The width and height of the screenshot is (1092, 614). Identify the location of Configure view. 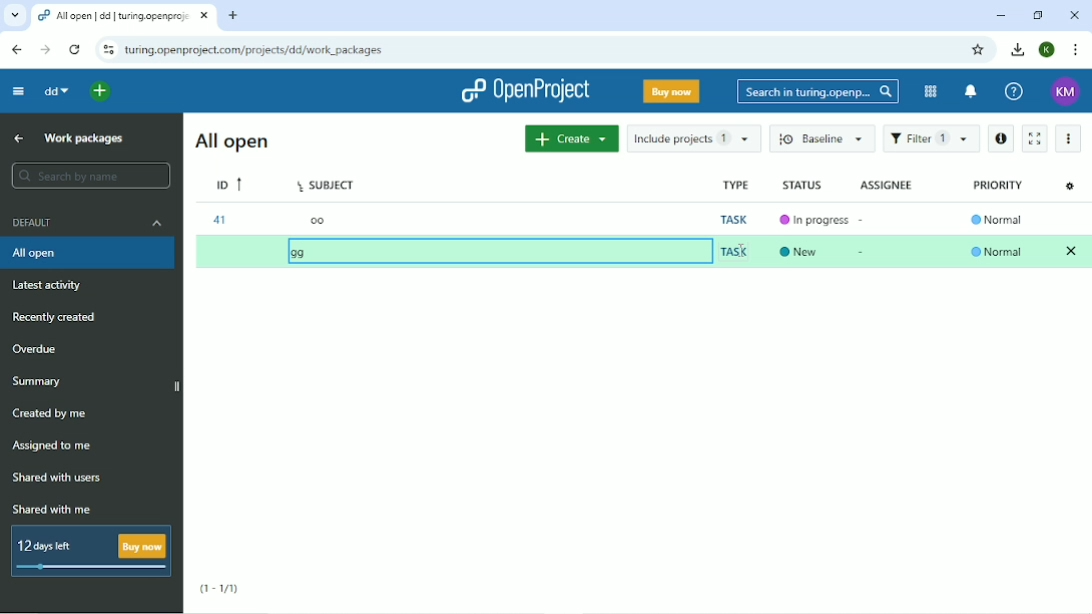
(1070, 188).